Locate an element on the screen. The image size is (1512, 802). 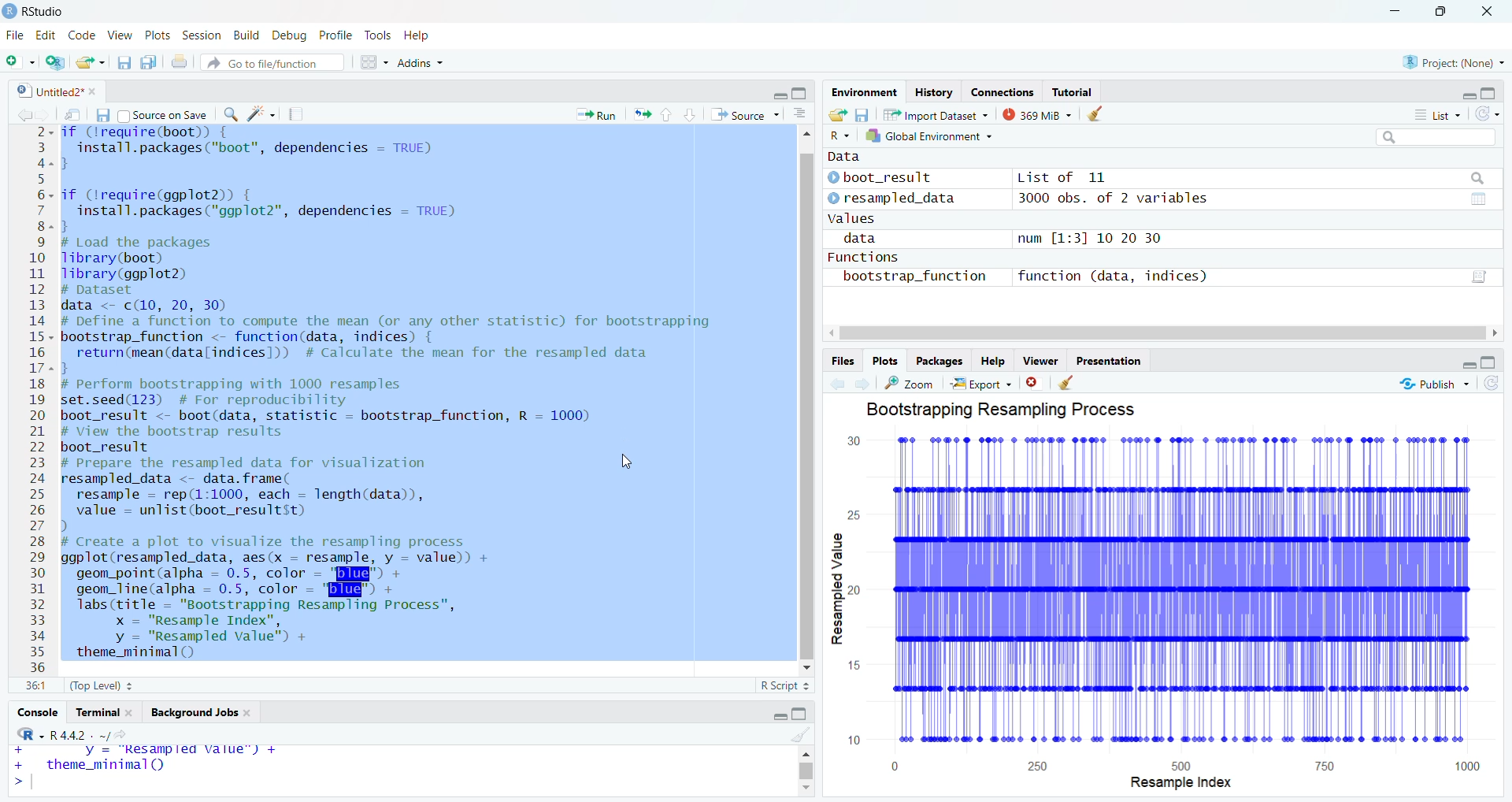
Plots is located at coordinates (884, 359).